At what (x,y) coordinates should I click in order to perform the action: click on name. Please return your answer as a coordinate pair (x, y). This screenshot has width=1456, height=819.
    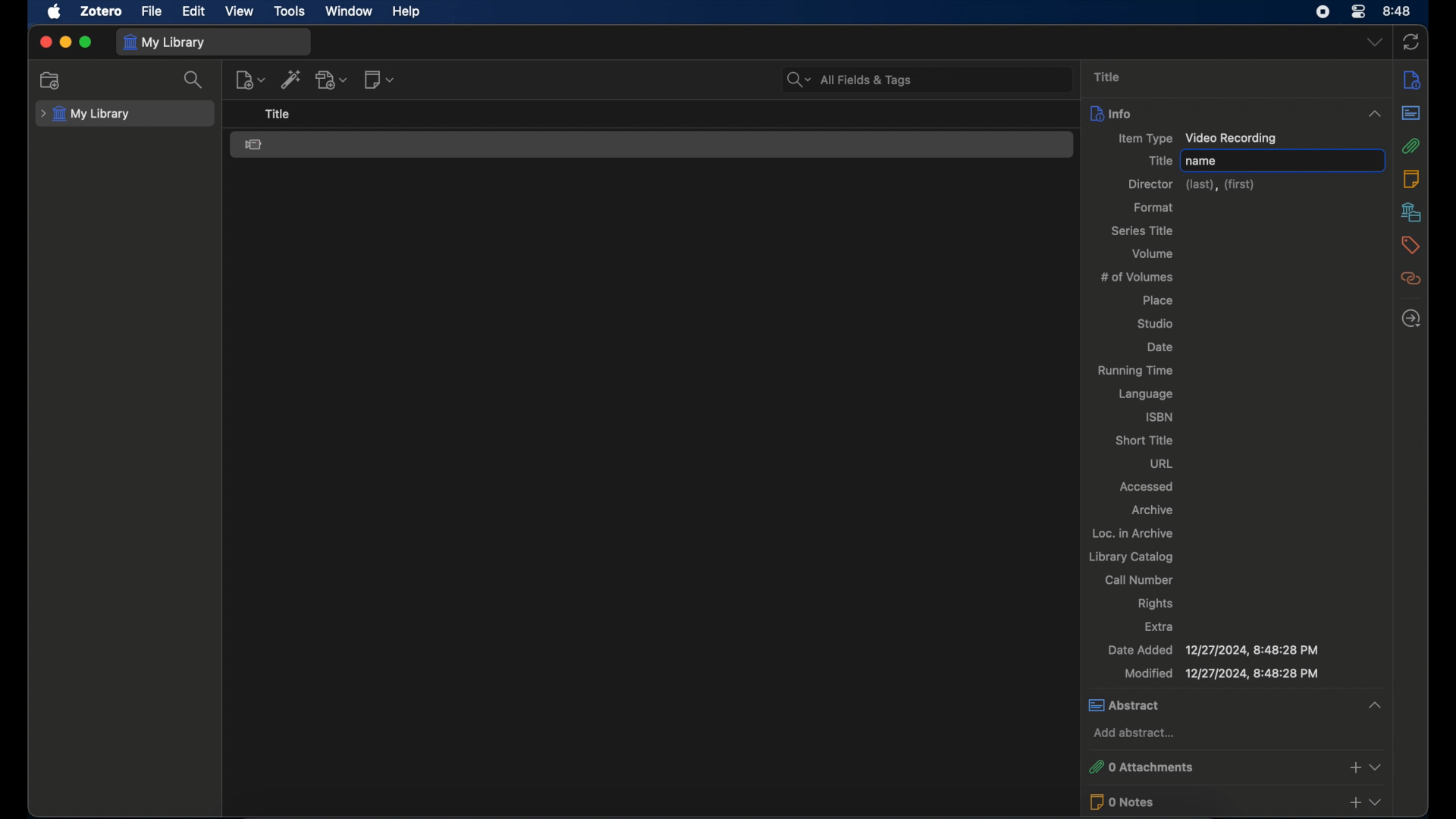
    Looking at the image, I should click on (1200, 161).